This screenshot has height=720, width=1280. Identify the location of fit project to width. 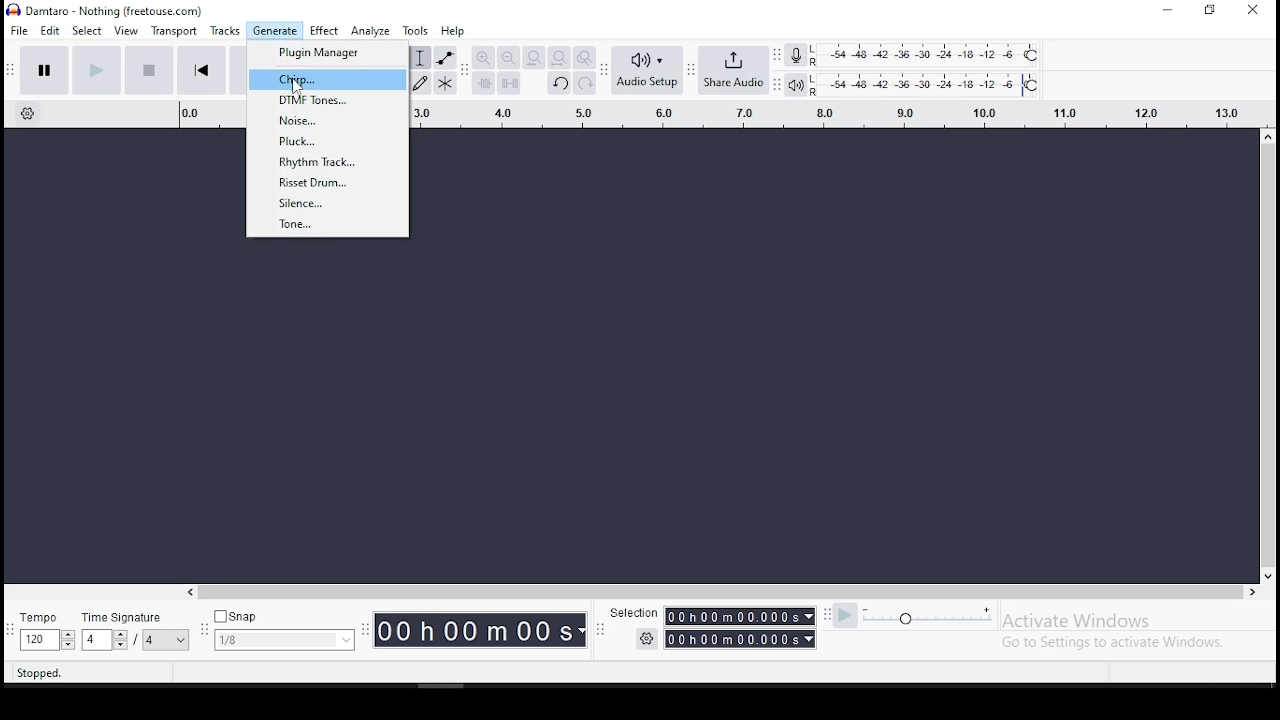
(534, 57).